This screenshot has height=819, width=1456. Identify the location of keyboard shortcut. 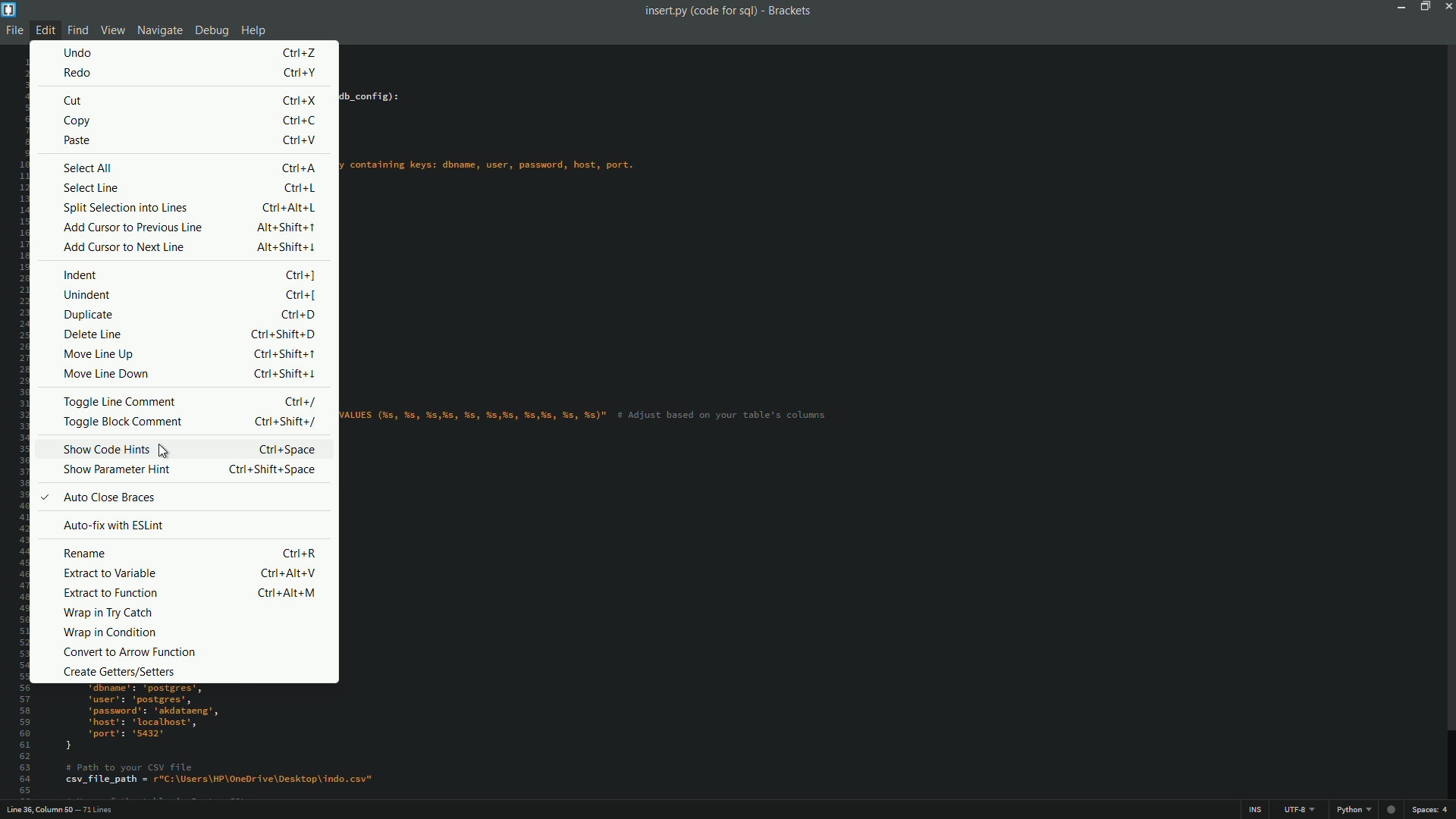
(298, 141).